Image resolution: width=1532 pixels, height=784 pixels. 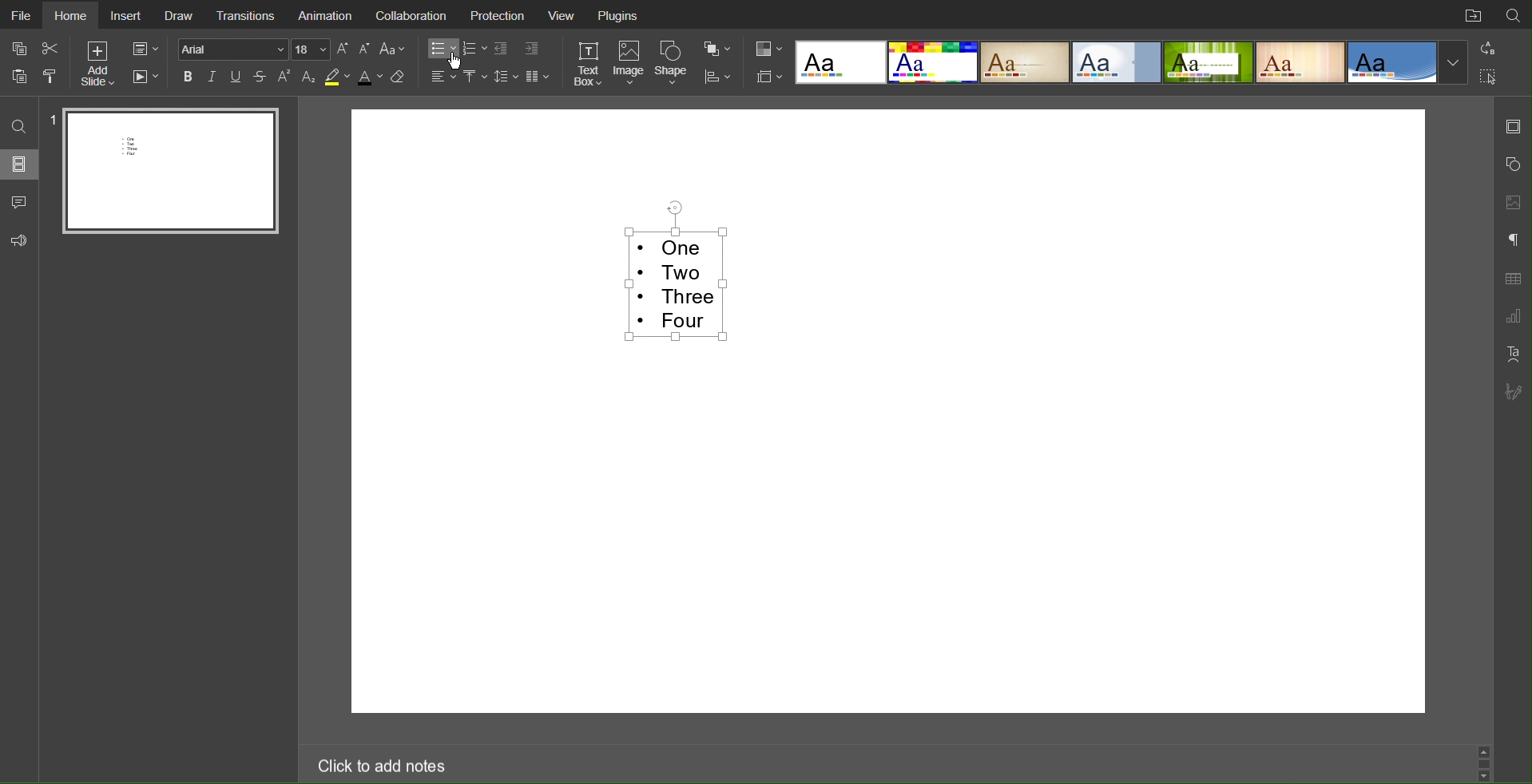 What do you see at coordinates (675, 66) in the screenshot?
I see `Shape` at bounding box center [675, 66].